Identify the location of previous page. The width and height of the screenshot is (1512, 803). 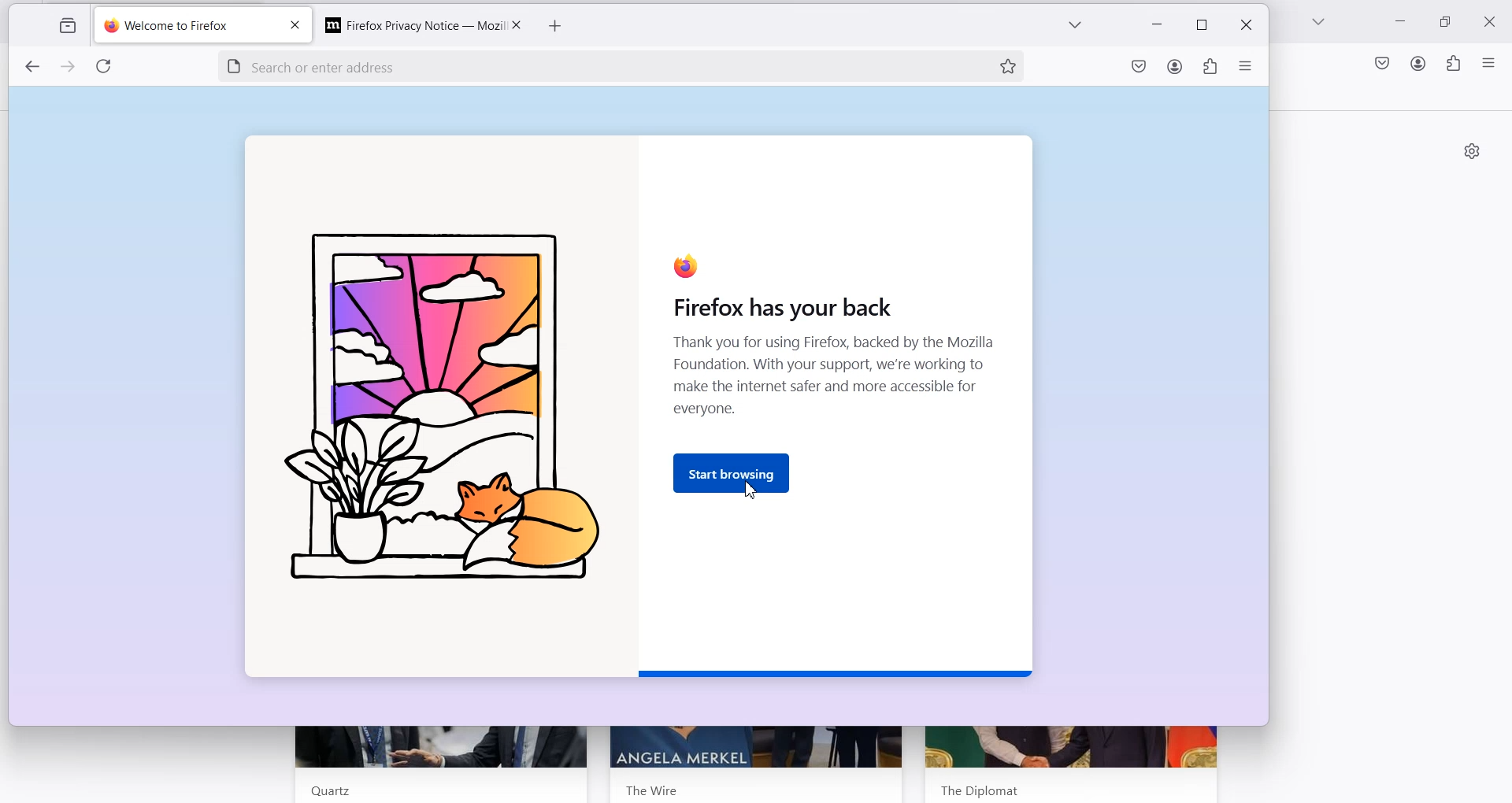
(31, 68).